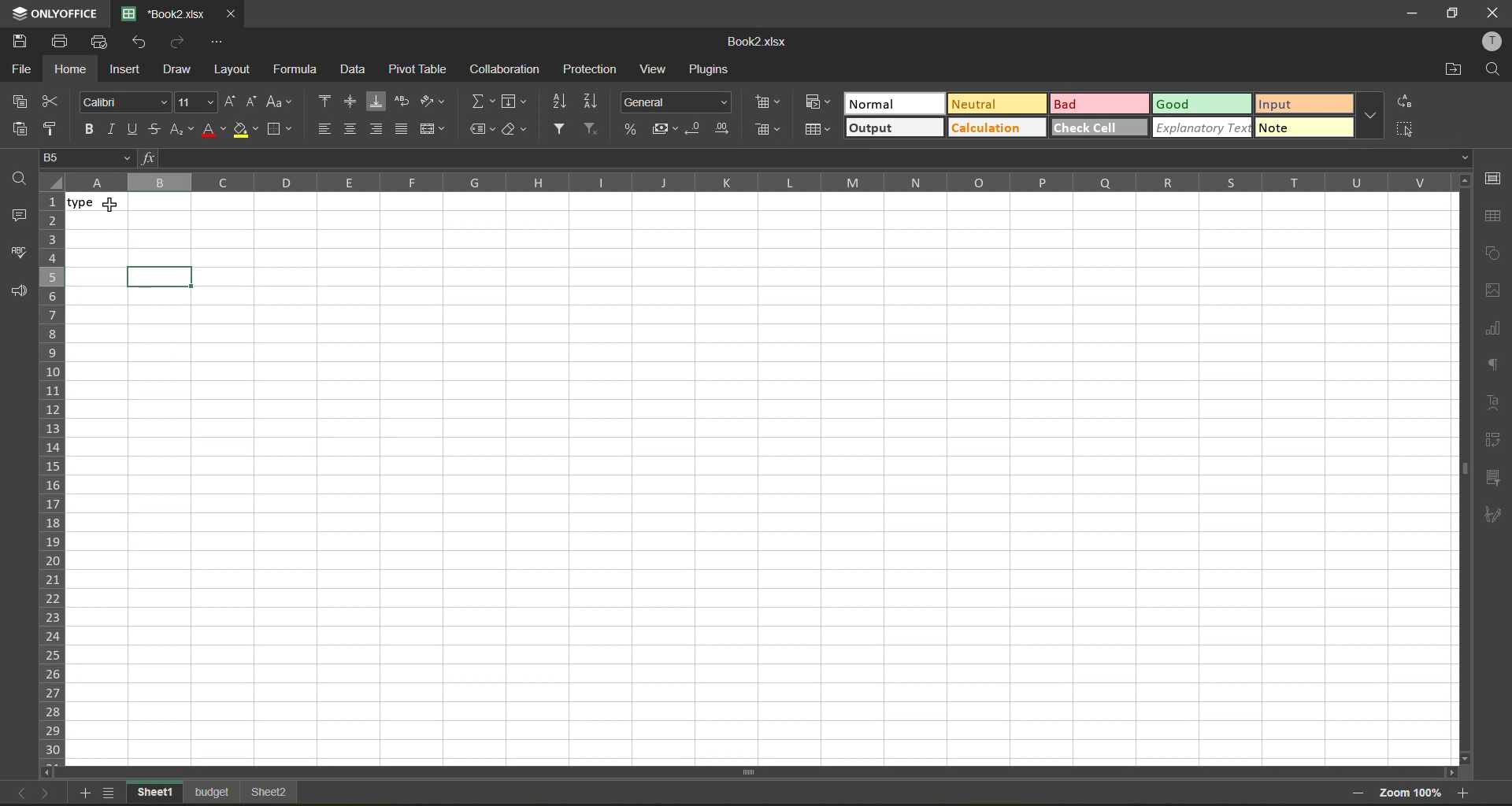 This screenshot has height=806, width=1512. What do you see at coordinates (656, 70) in the screenshot?
I see `view` at bounding box center [656, 70].